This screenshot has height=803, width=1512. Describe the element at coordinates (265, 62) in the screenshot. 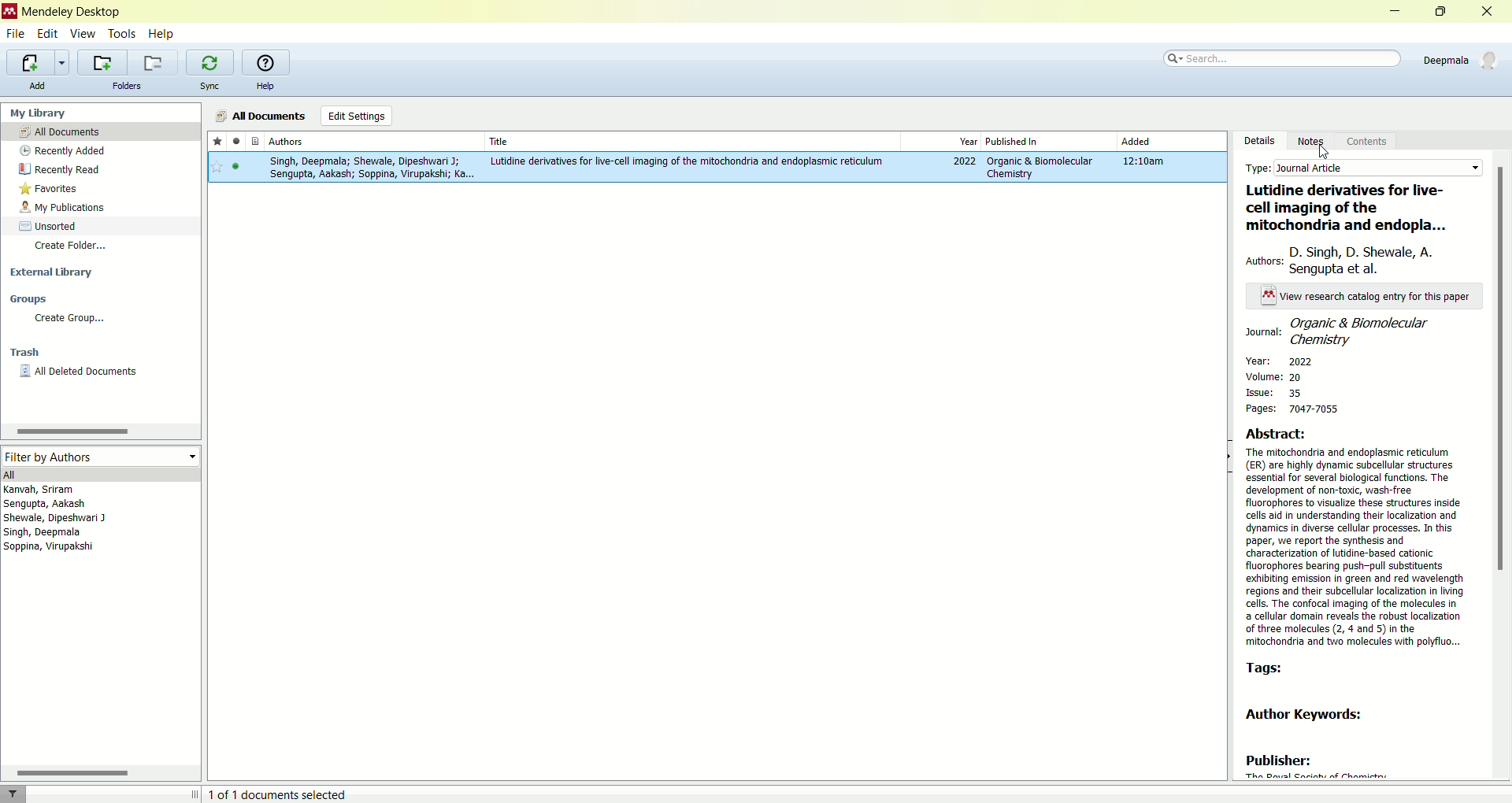

I see `open the online help guide for Mendeley` at that location.